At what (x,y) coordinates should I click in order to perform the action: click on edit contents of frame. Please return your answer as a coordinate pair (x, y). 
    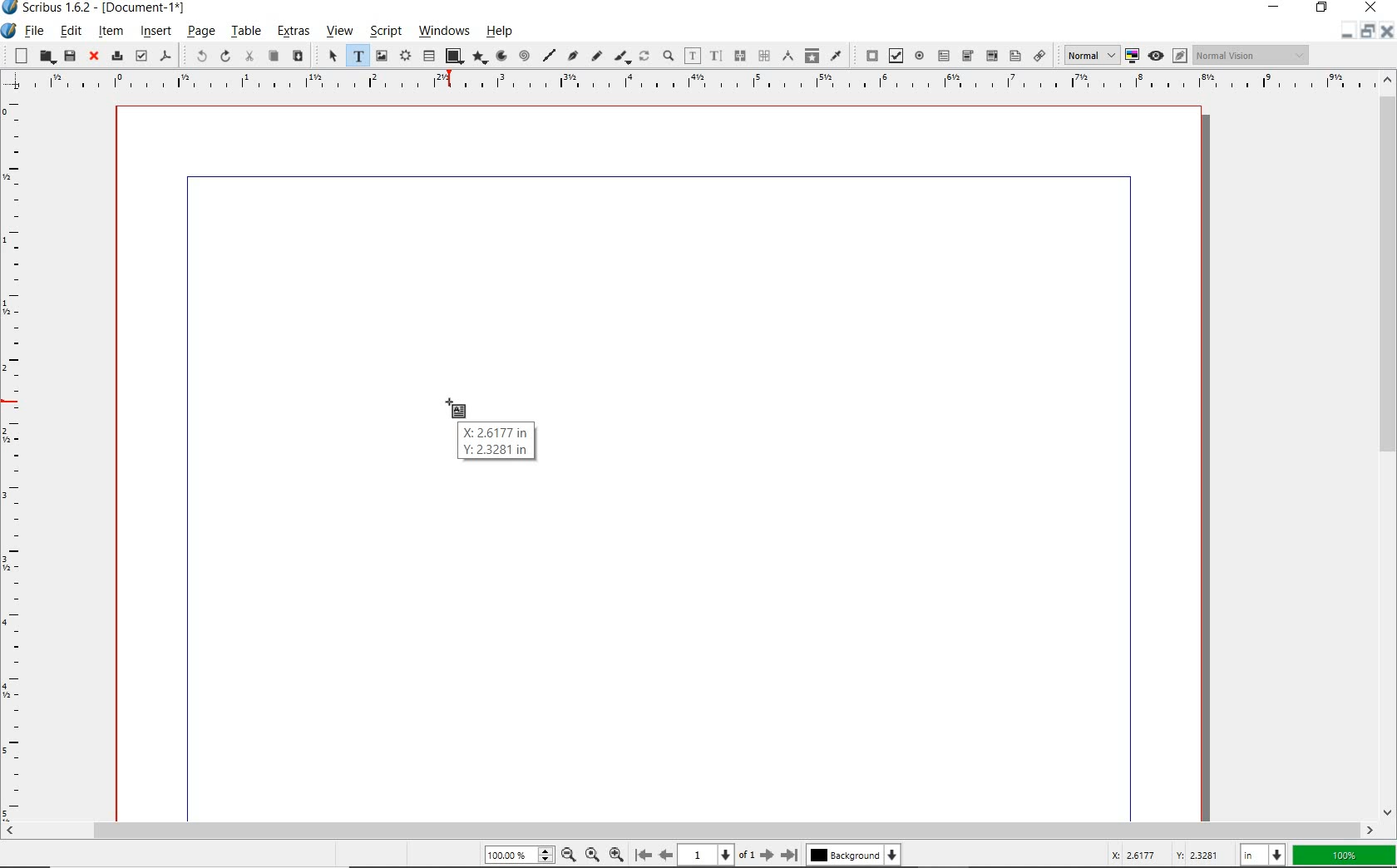
    Looking at the image, I should click on (692, 57).